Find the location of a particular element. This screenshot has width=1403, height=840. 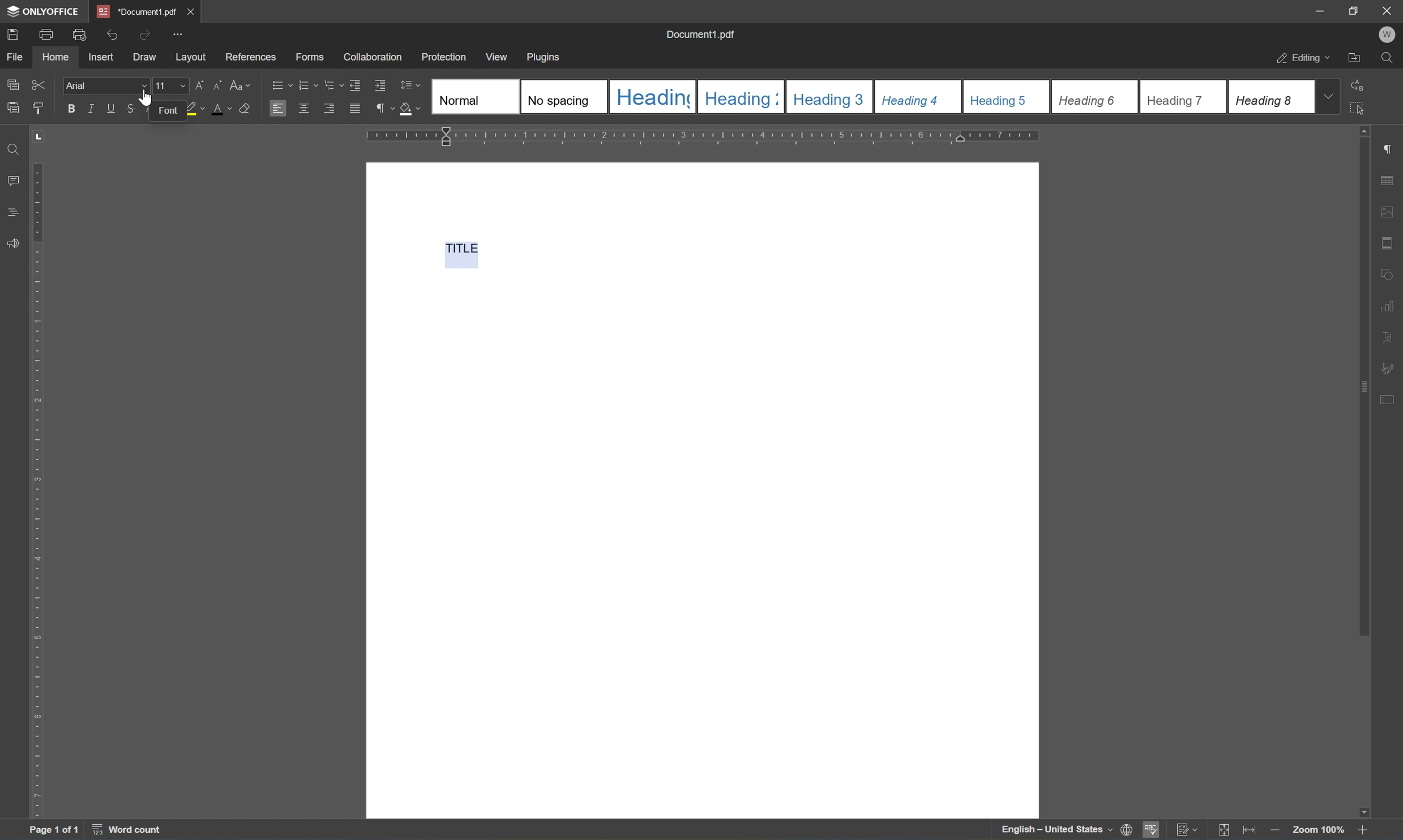

text art settings is located at coordinates (1391, 335).